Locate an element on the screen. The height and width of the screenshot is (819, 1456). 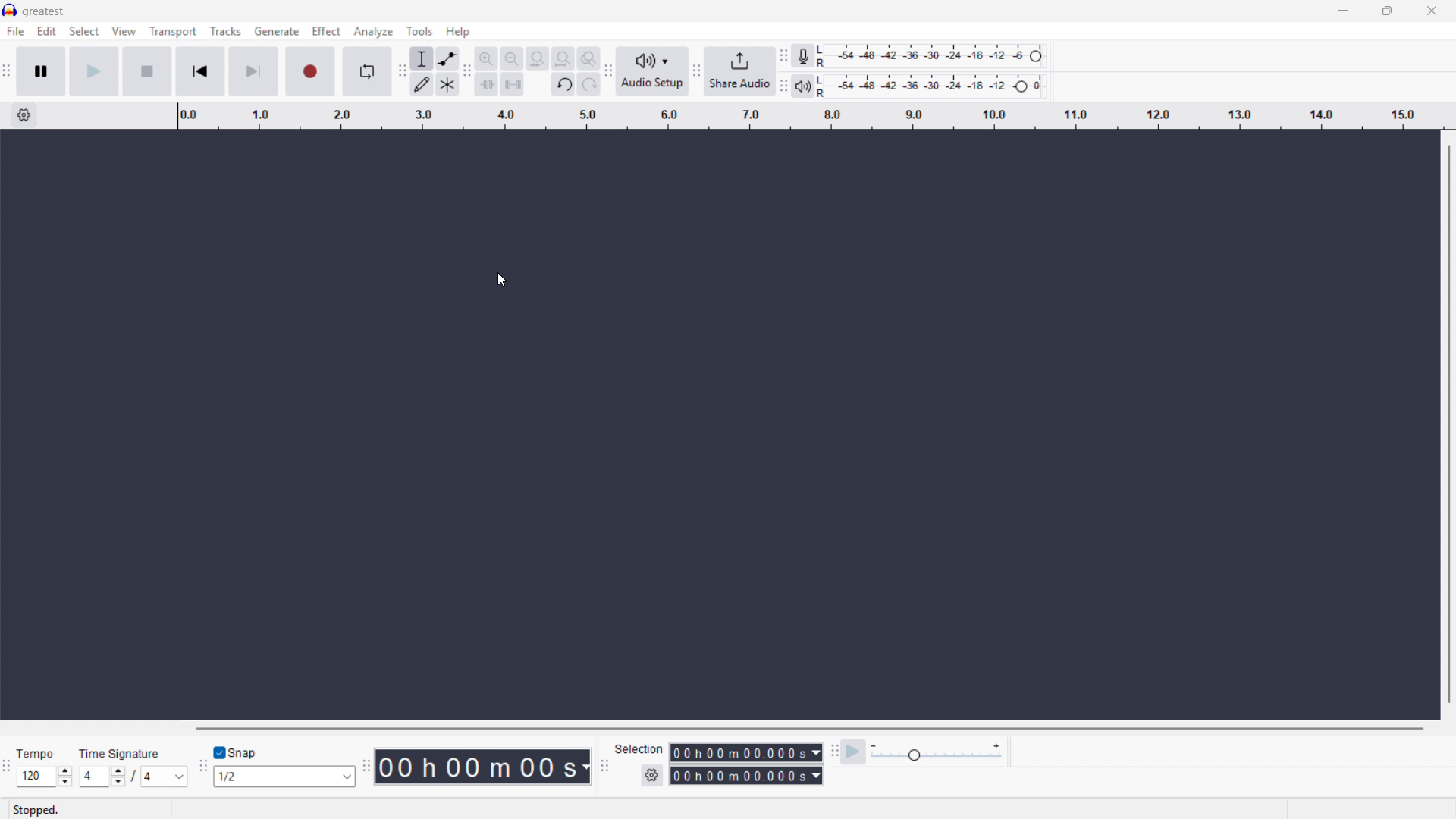
effect  is located at coordinates (327, 31).